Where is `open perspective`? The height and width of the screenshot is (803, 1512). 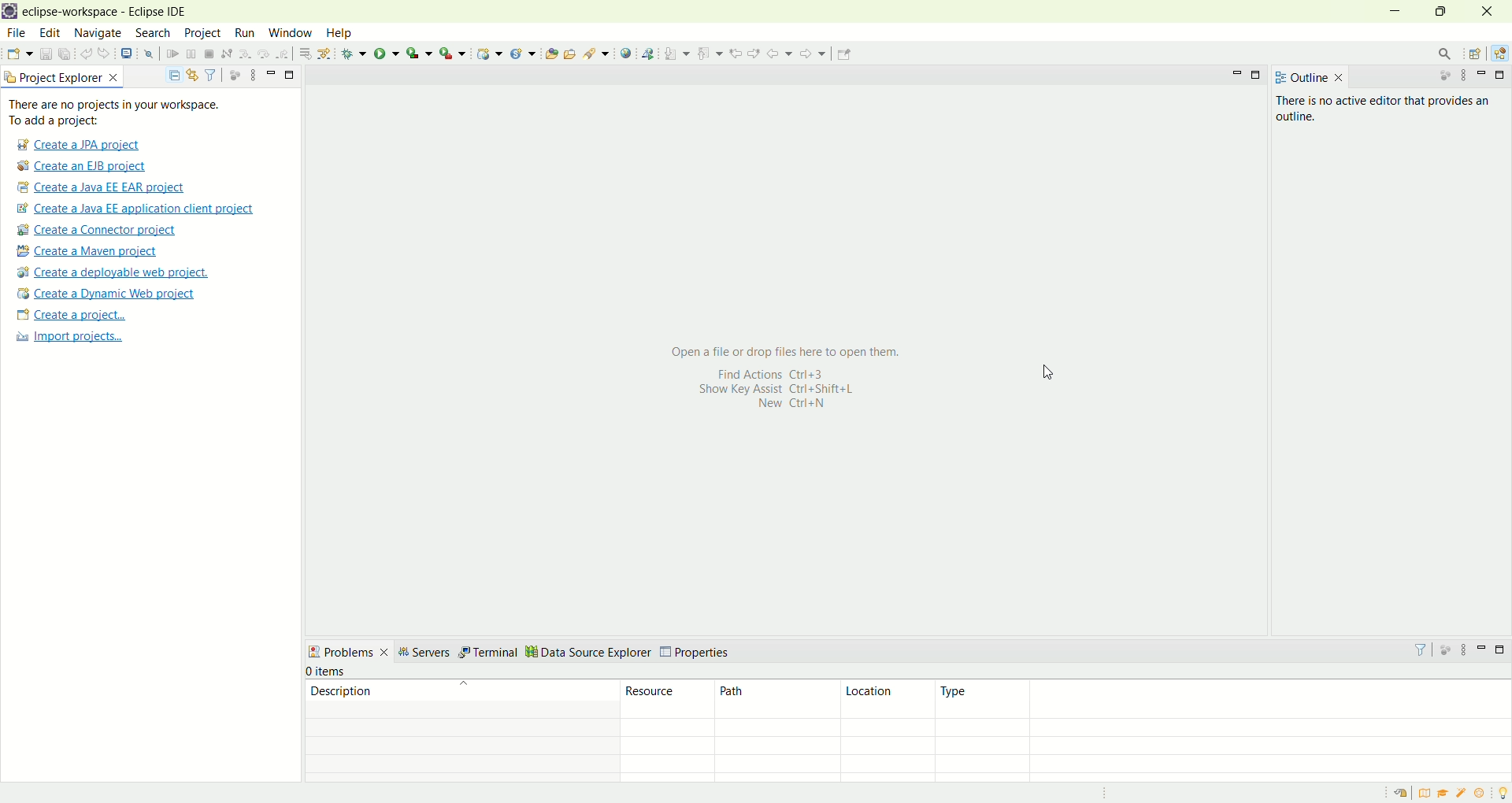
open perspective is located at coordinates (1476, 53).